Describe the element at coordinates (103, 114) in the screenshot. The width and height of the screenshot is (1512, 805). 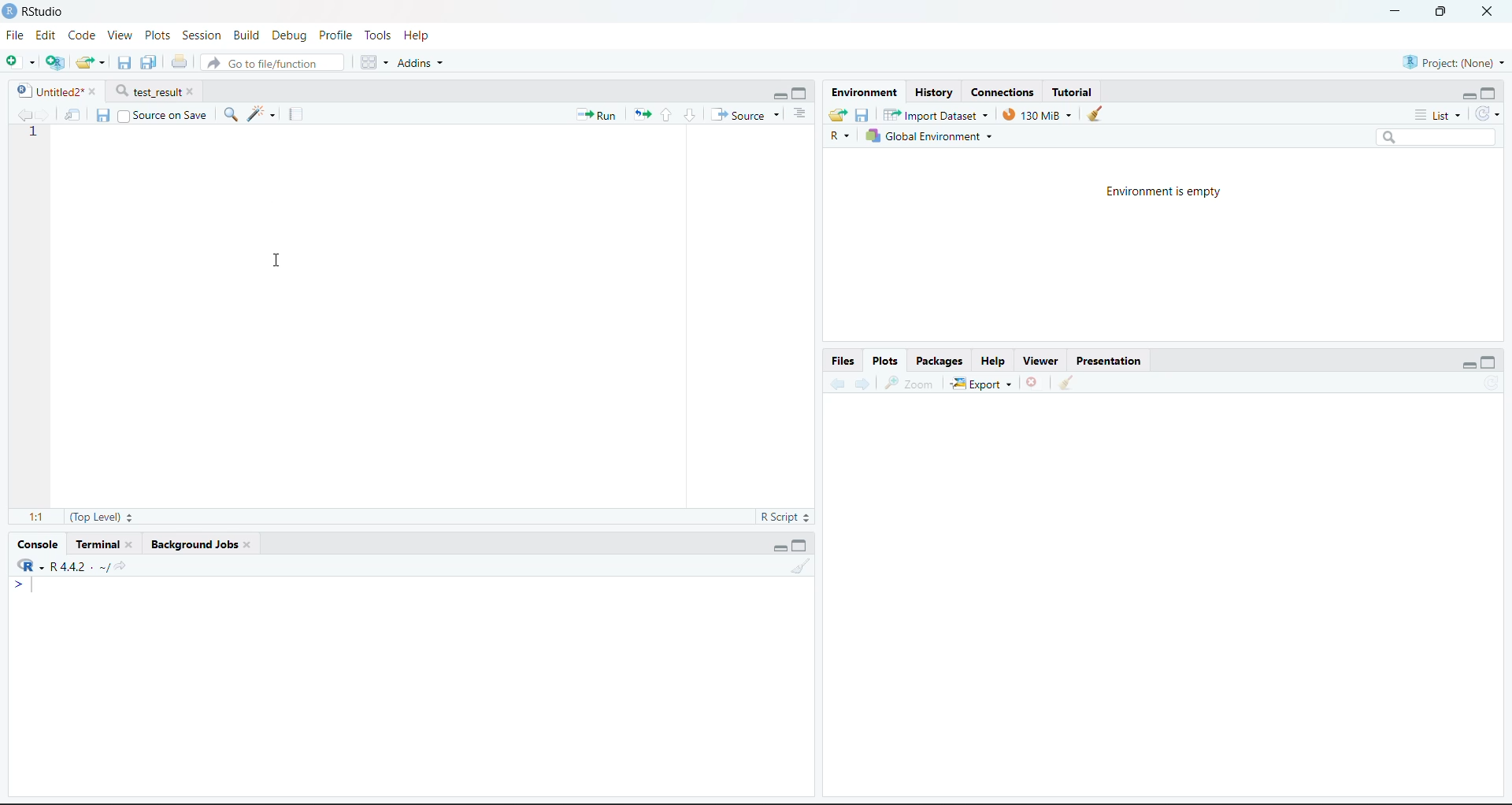
I see `Save current document (Ctrl + S)` at that location.